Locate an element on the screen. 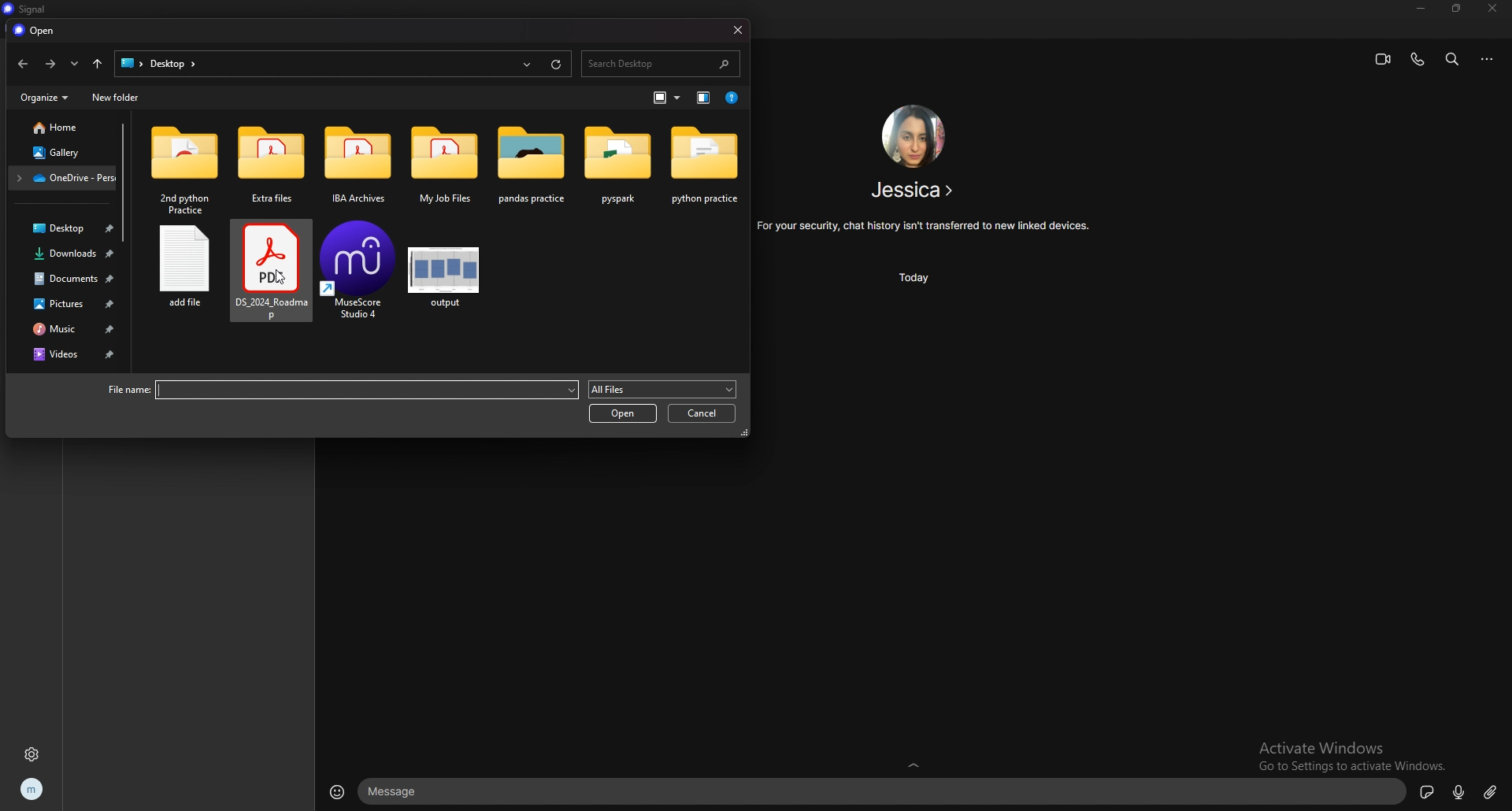  document is located at coordinates (268, 278).